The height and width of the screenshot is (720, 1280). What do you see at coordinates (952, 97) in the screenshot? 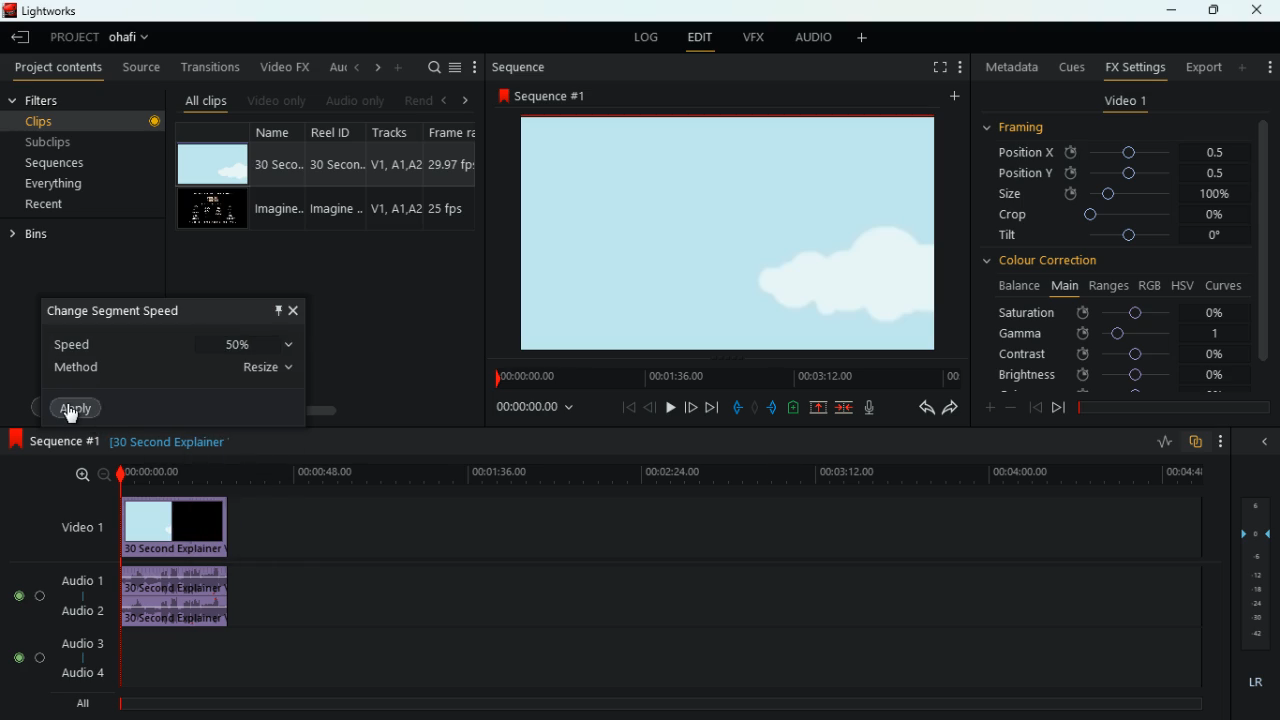
I see `more` at bounding box center [952, 97].